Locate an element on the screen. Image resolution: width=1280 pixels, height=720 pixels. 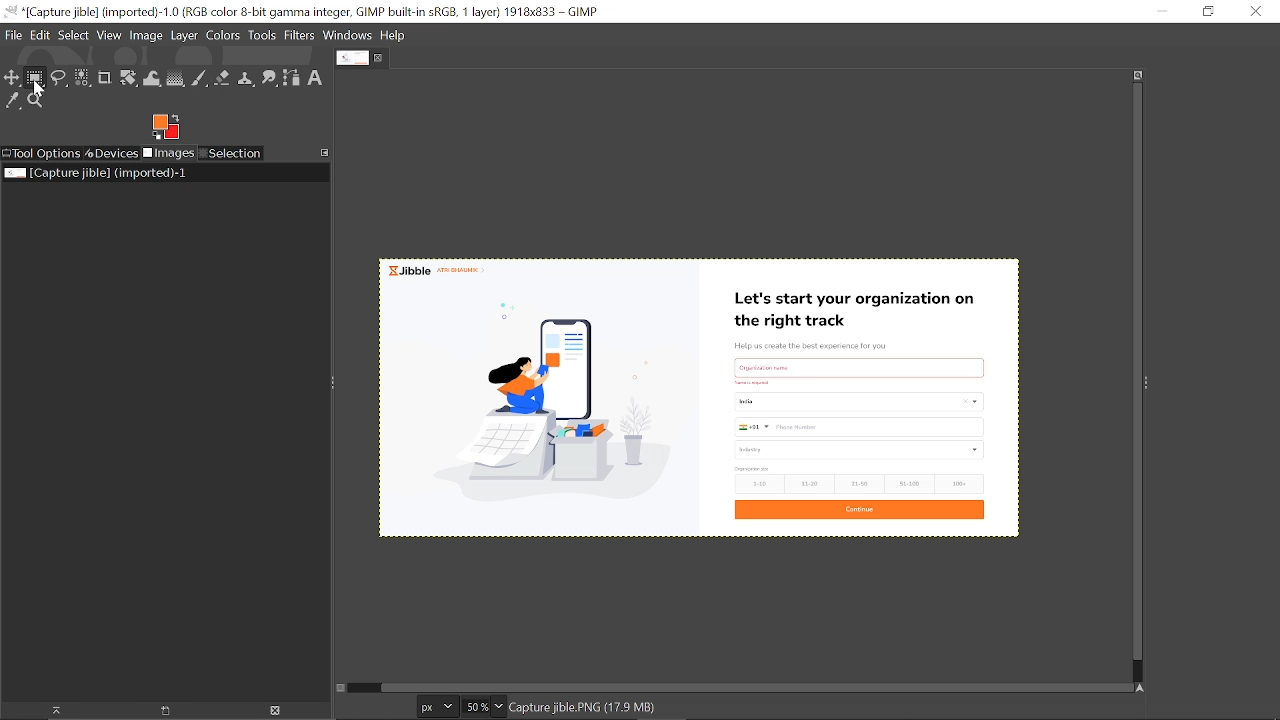
Minimize is located at coordinates (1161, 12).